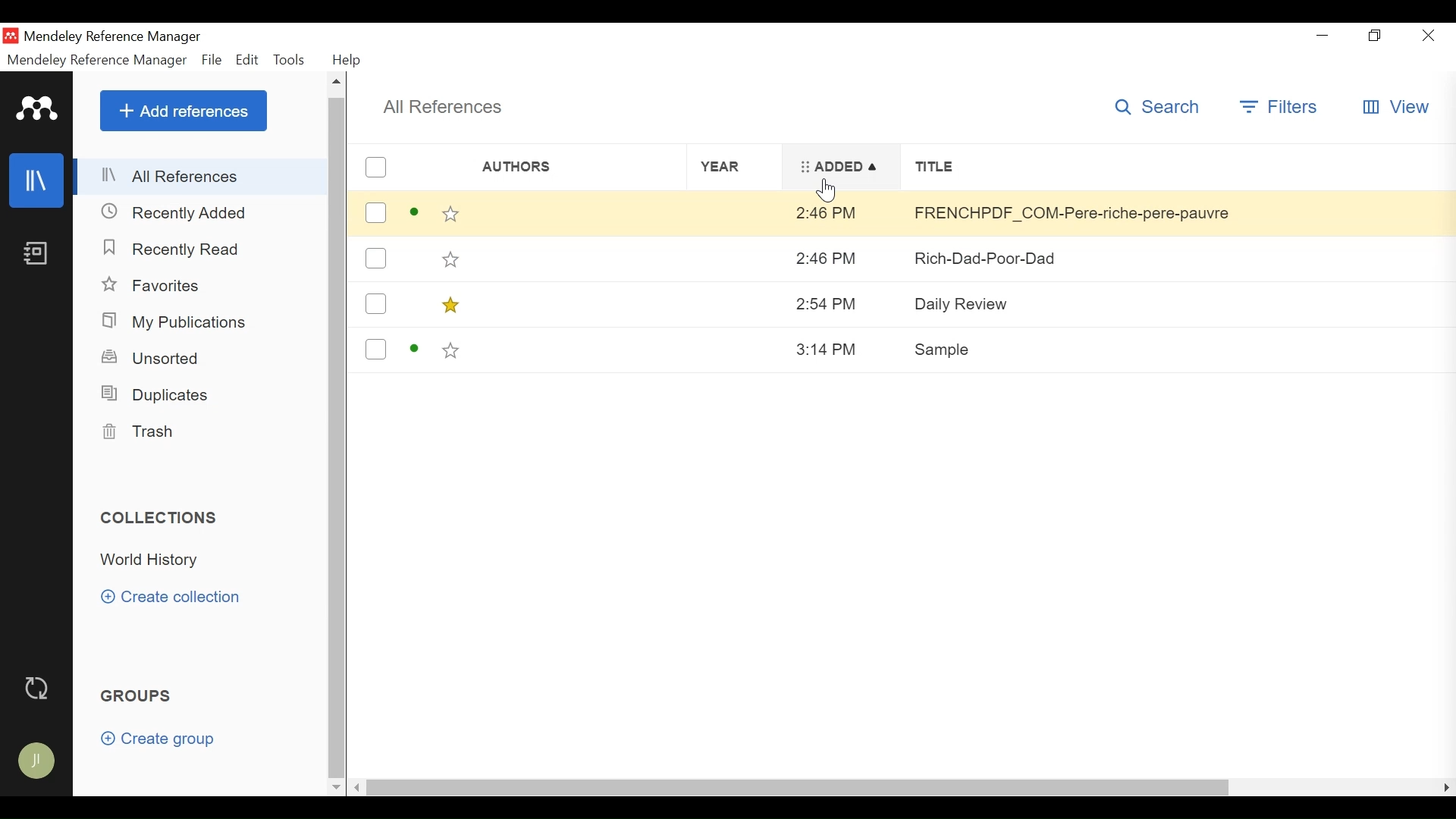 This screenshot has width=1456, height=819. I want to click on 3:14 PM, so click(836, 350).